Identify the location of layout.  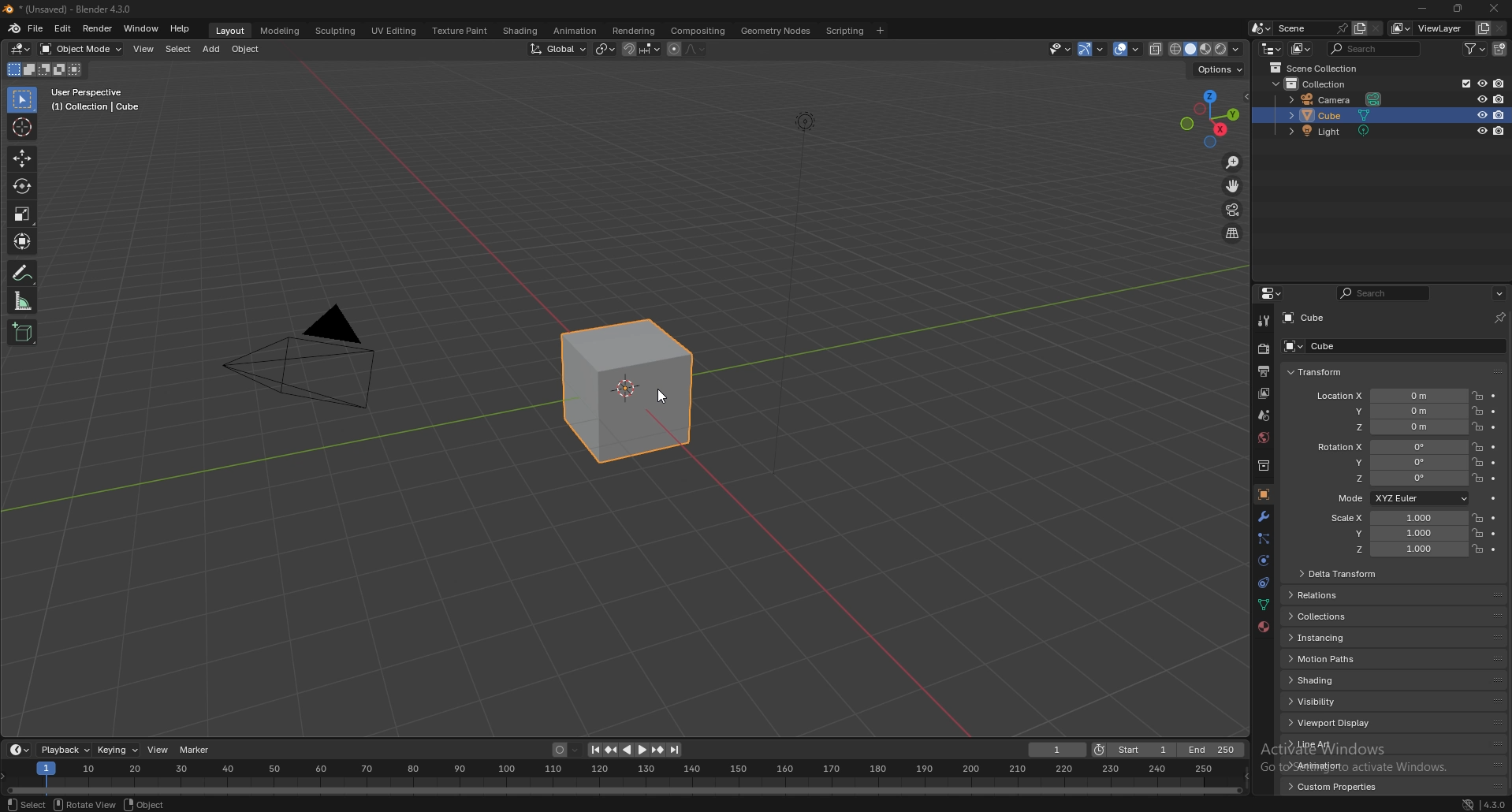
(230, 31).